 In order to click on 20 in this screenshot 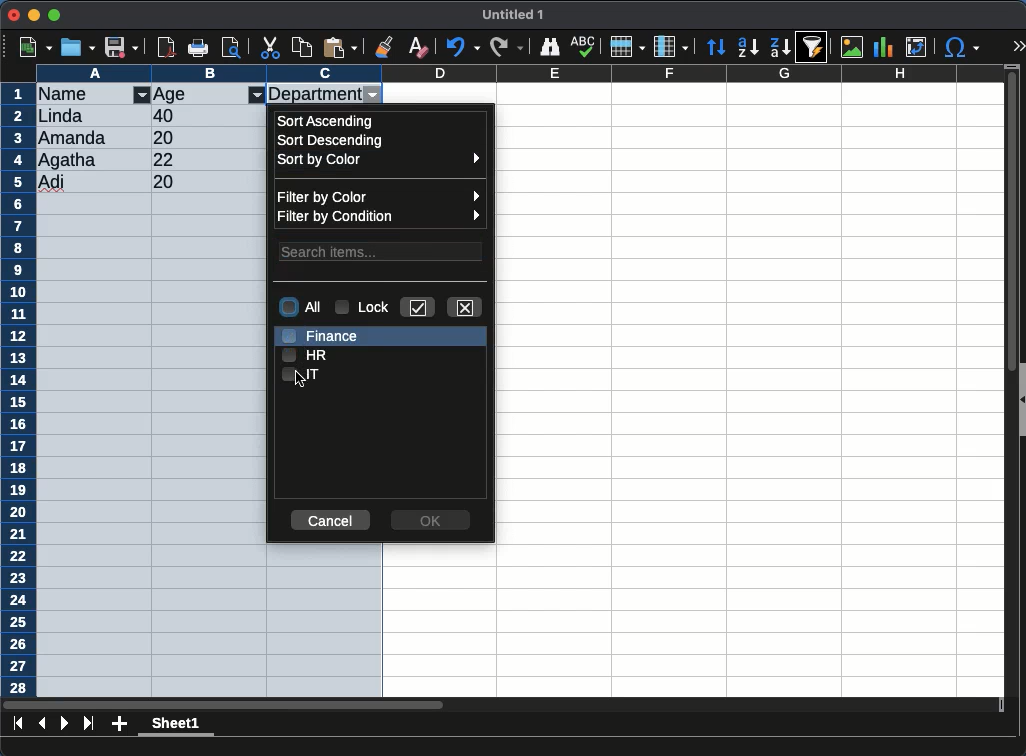, I will do `click(177, 182)`.